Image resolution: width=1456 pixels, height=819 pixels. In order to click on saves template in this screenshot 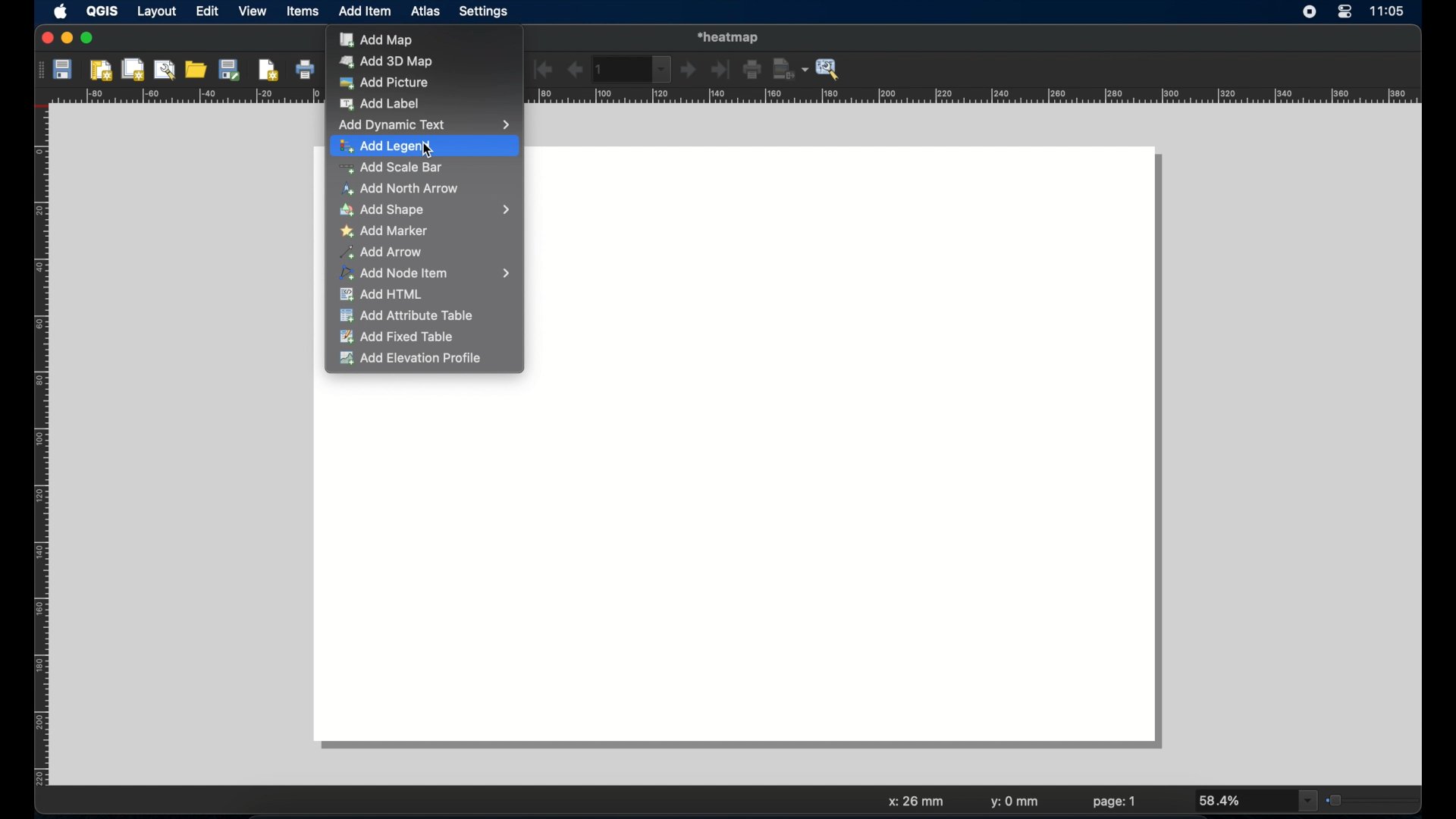, I will do `click(232, 69)`.